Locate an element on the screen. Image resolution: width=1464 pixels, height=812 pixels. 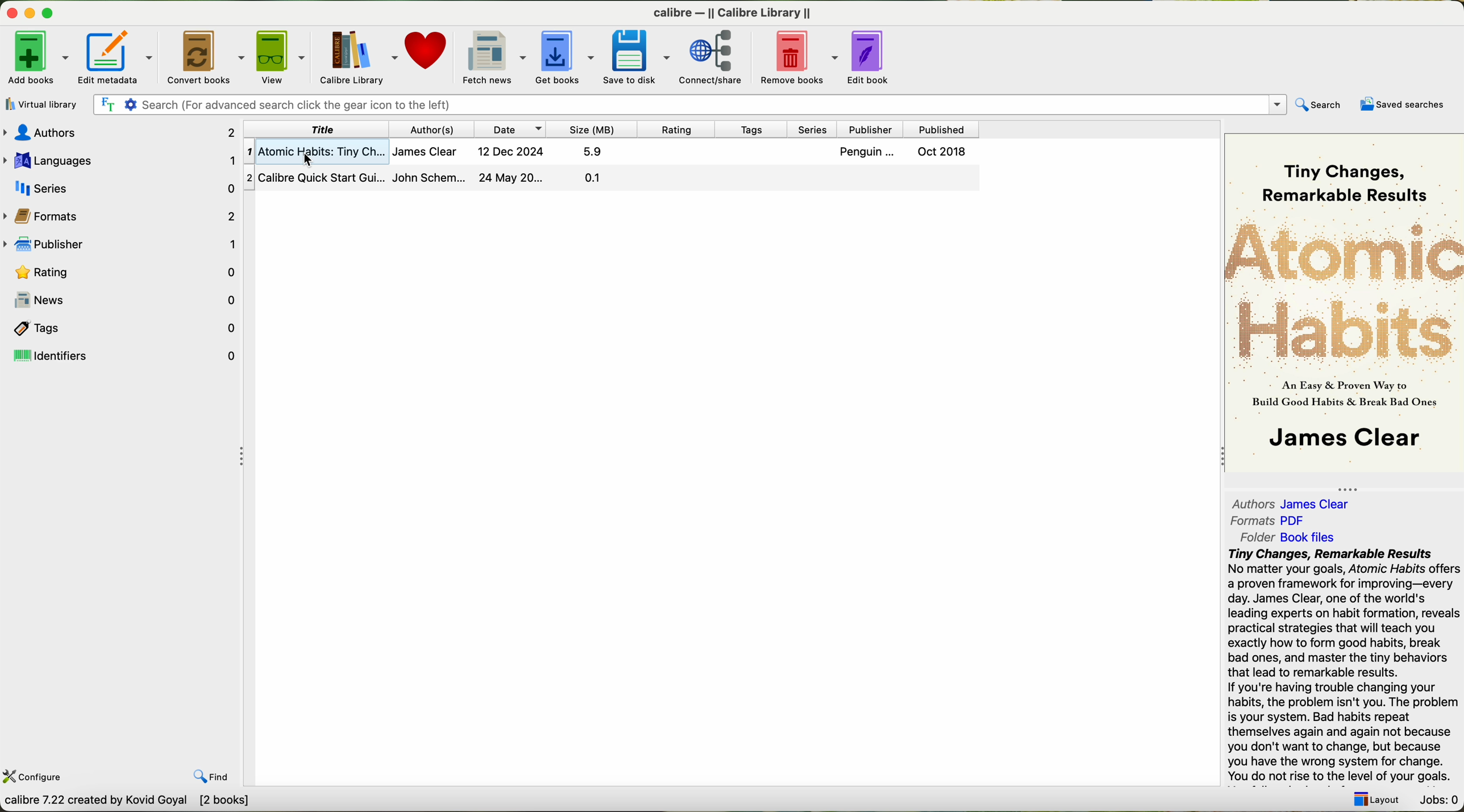
calibre is located at coordinates (732, 14).